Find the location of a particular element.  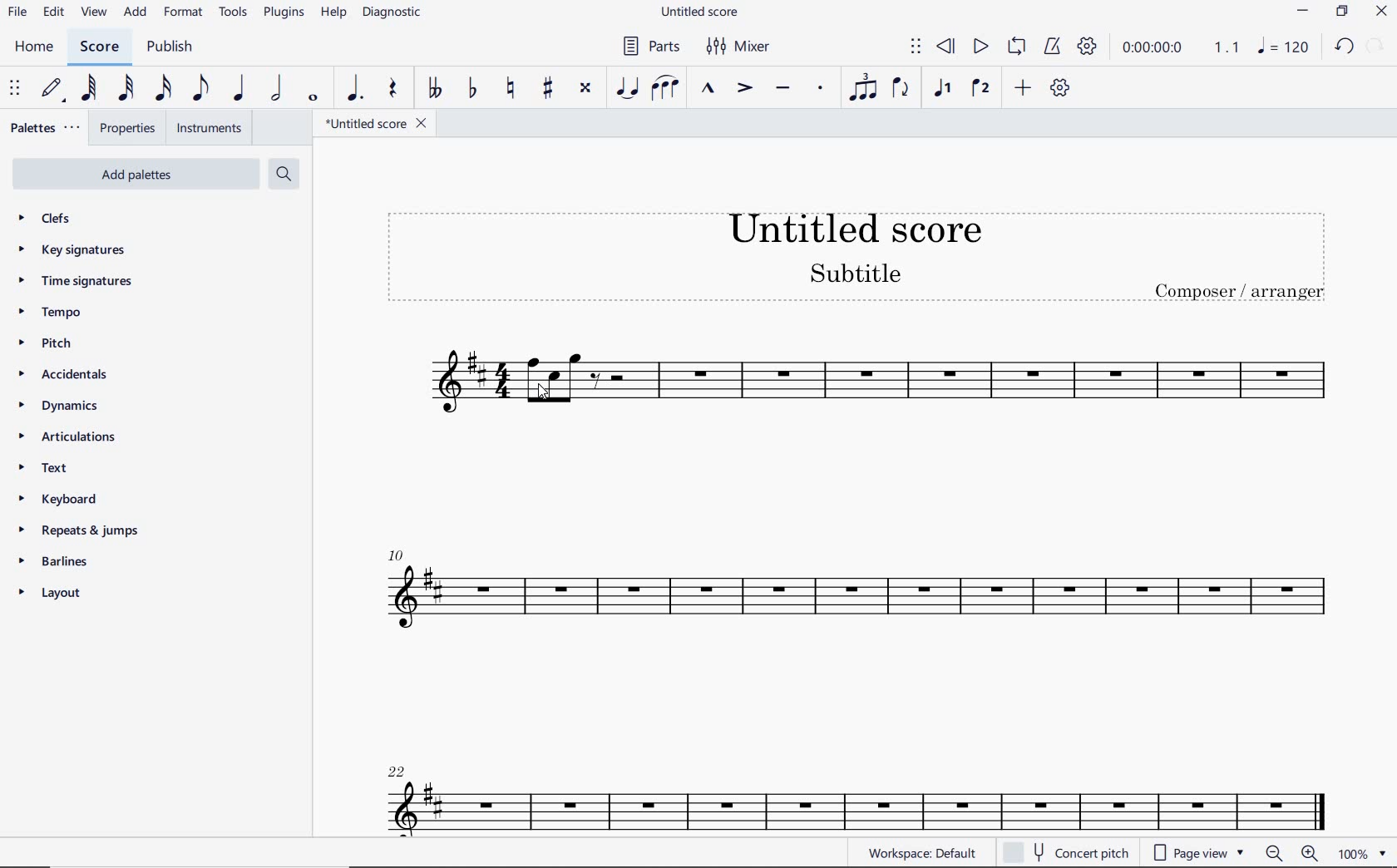

TOGGLE DOUBLE-SHARP is located at coordinates (585, 87).